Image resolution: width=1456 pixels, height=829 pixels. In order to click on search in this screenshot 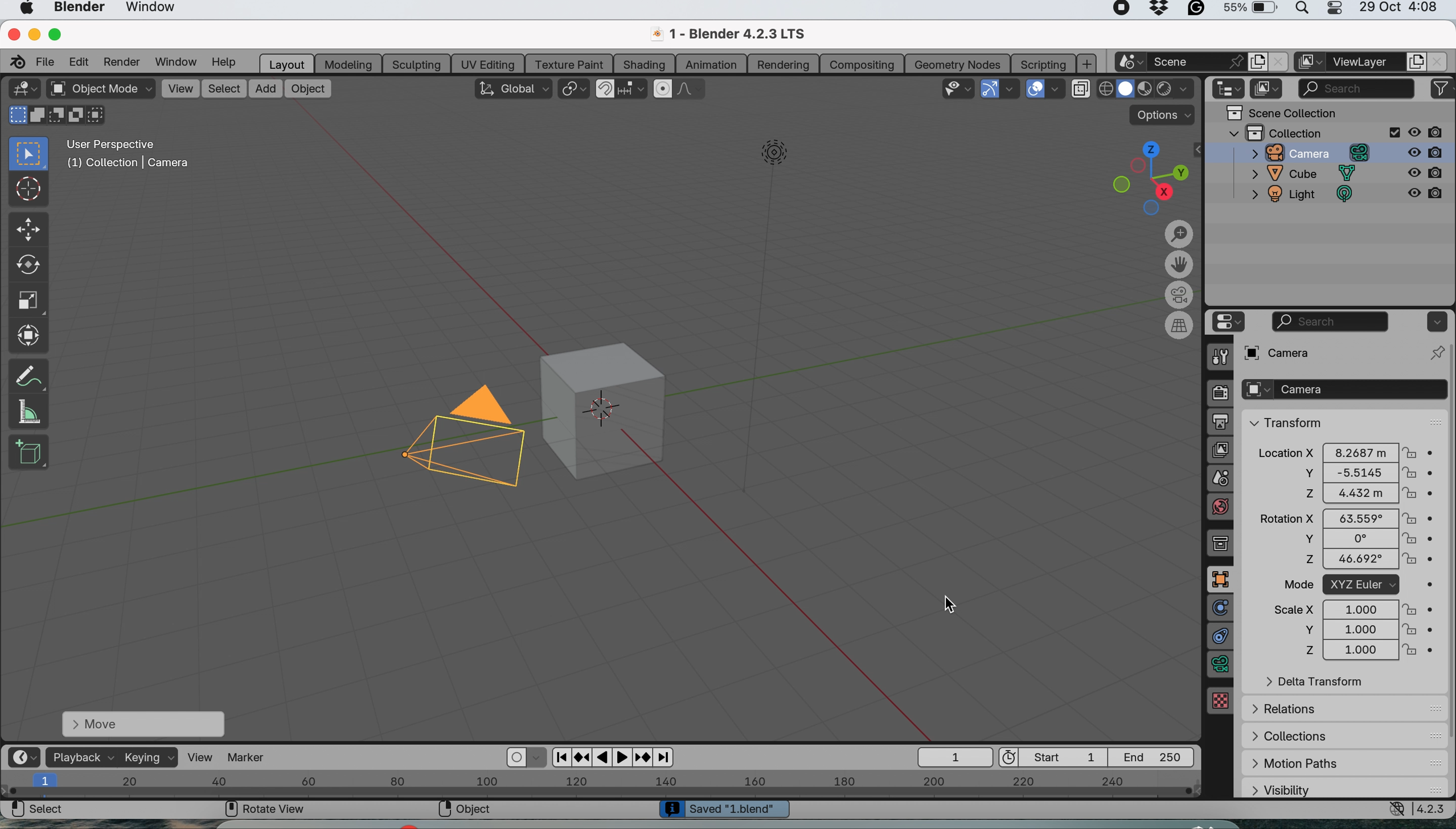, I will do `click(1331, 322)`.